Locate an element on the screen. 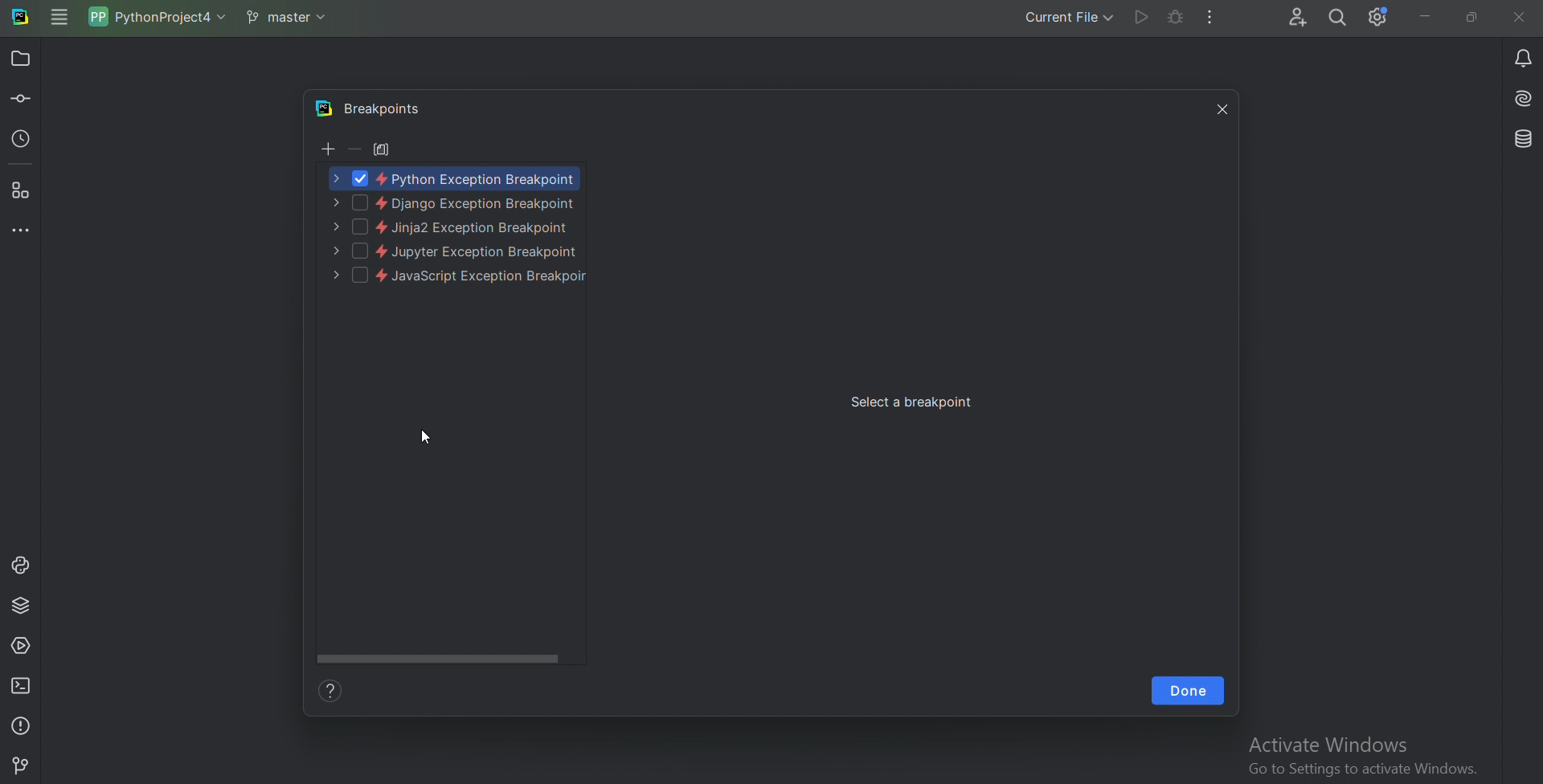 This screenshot has height=784, width=1543. Breakpoints is located at coordinates (387, 108).